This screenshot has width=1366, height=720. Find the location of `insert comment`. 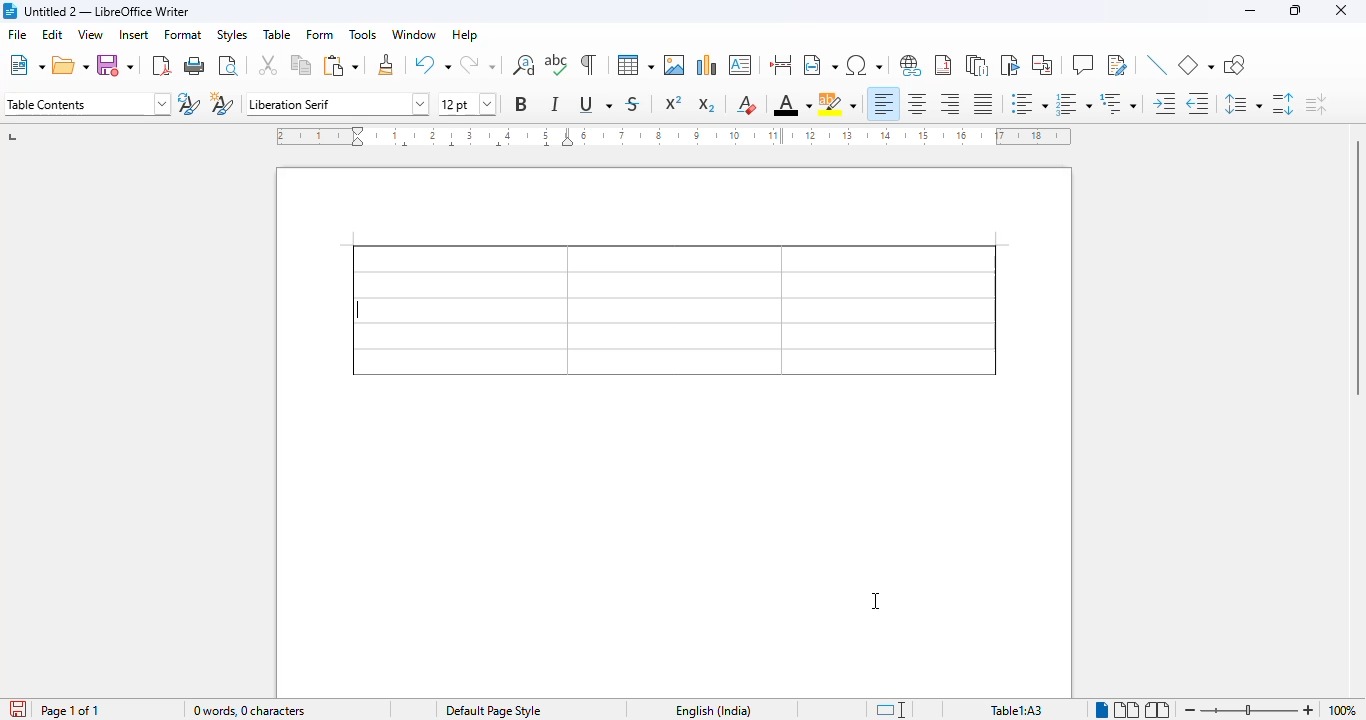

insert comment is located at coordinates (1083, 65).